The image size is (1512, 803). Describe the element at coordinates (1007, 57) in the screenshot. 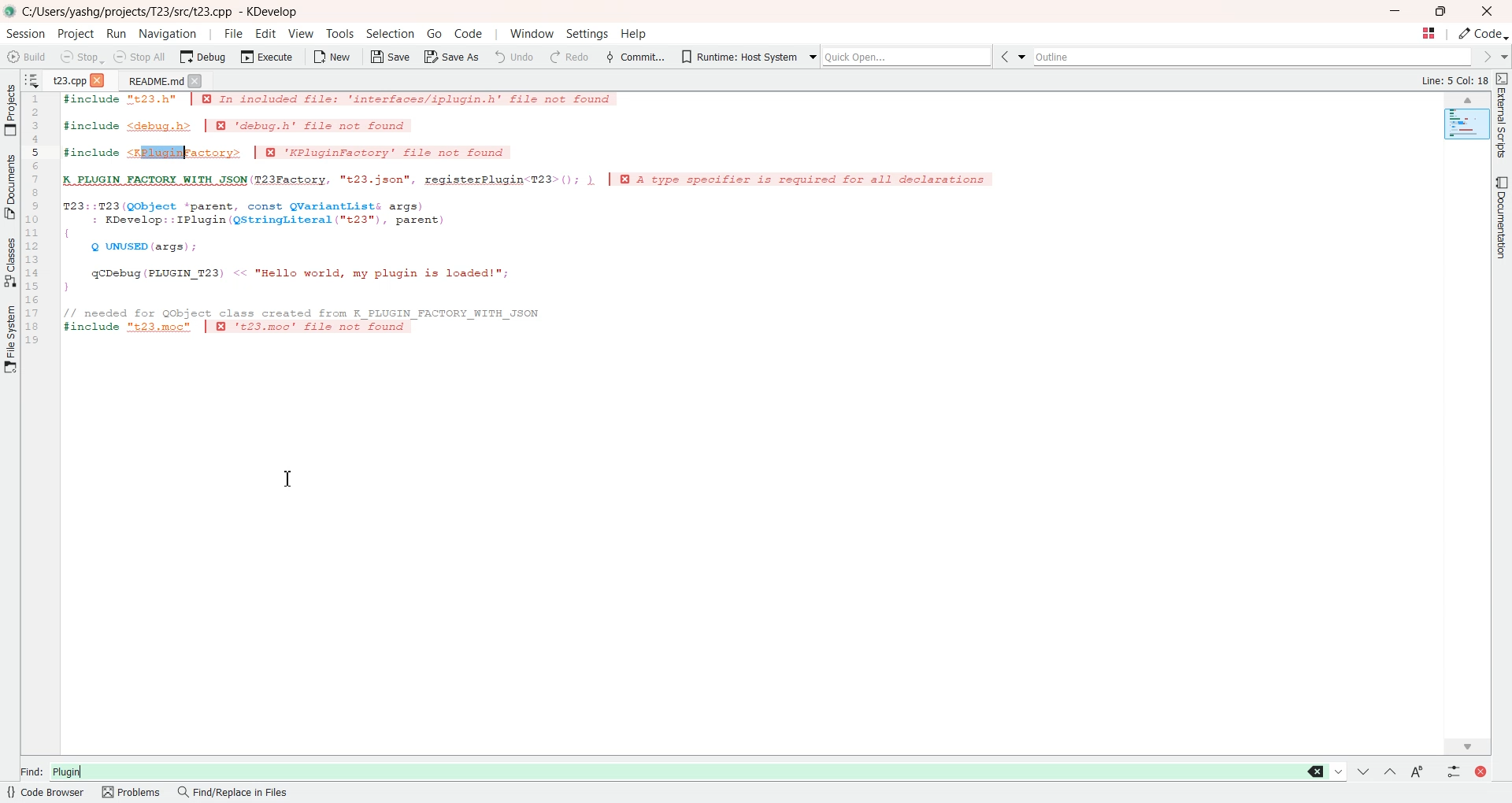

I see `Go back` at that location.